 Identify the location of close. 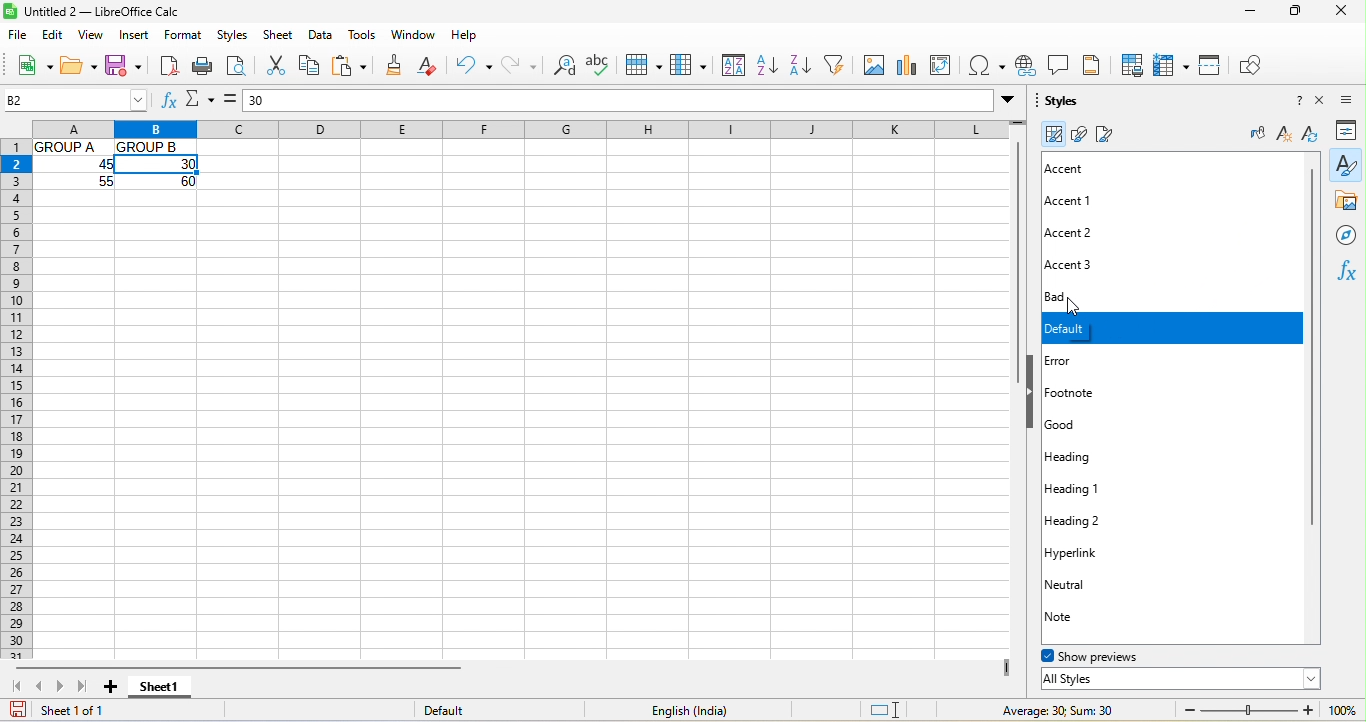
(1325, 102).